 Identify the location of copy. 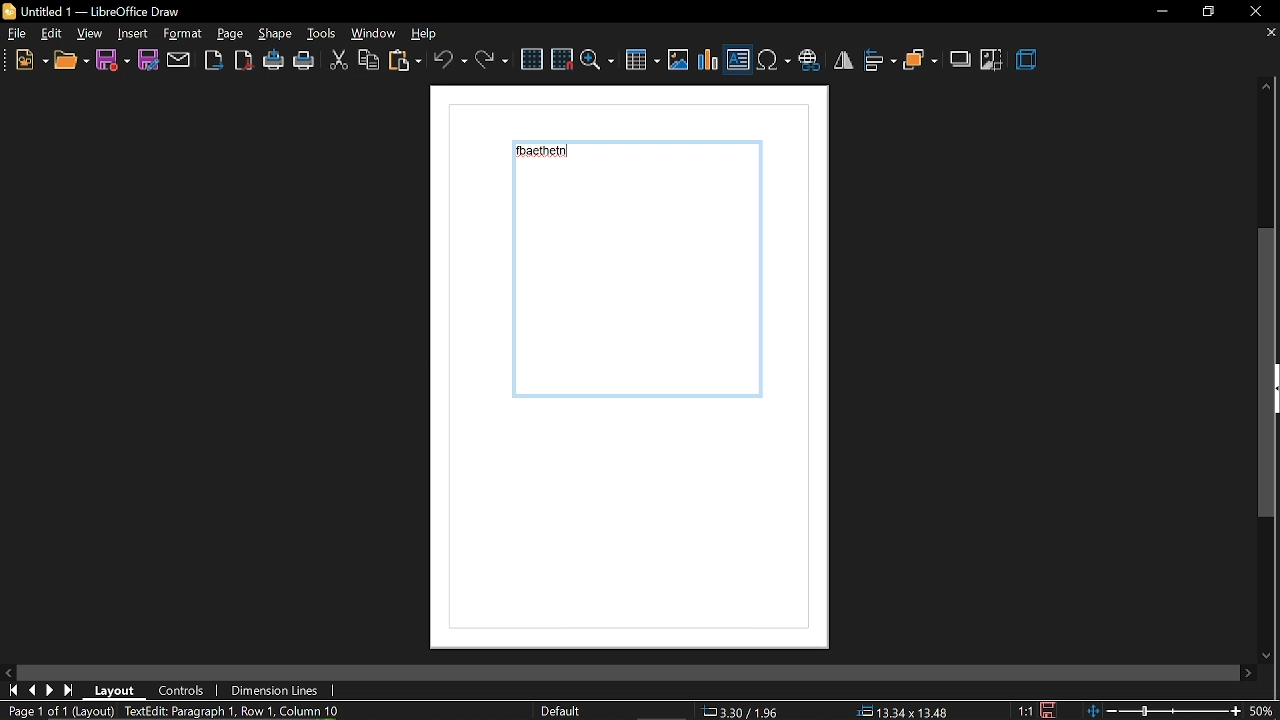
(368, 61).